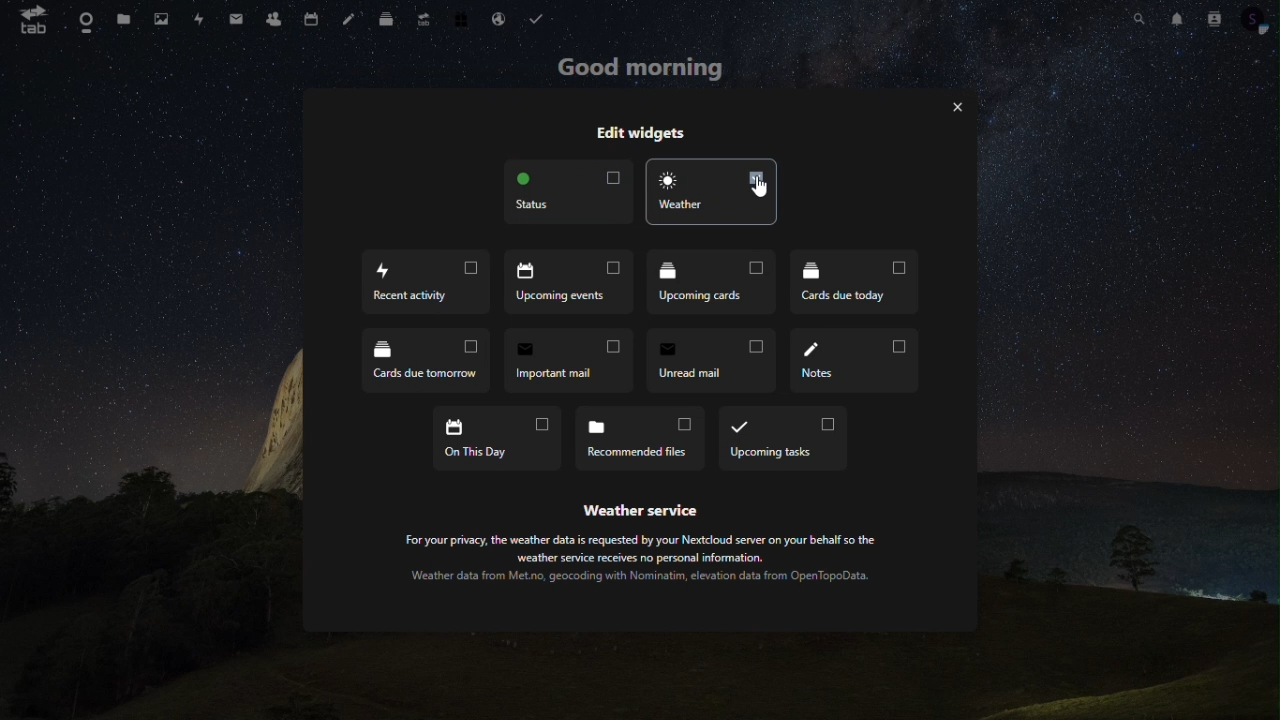  I want to click on image, so click(160, 19).